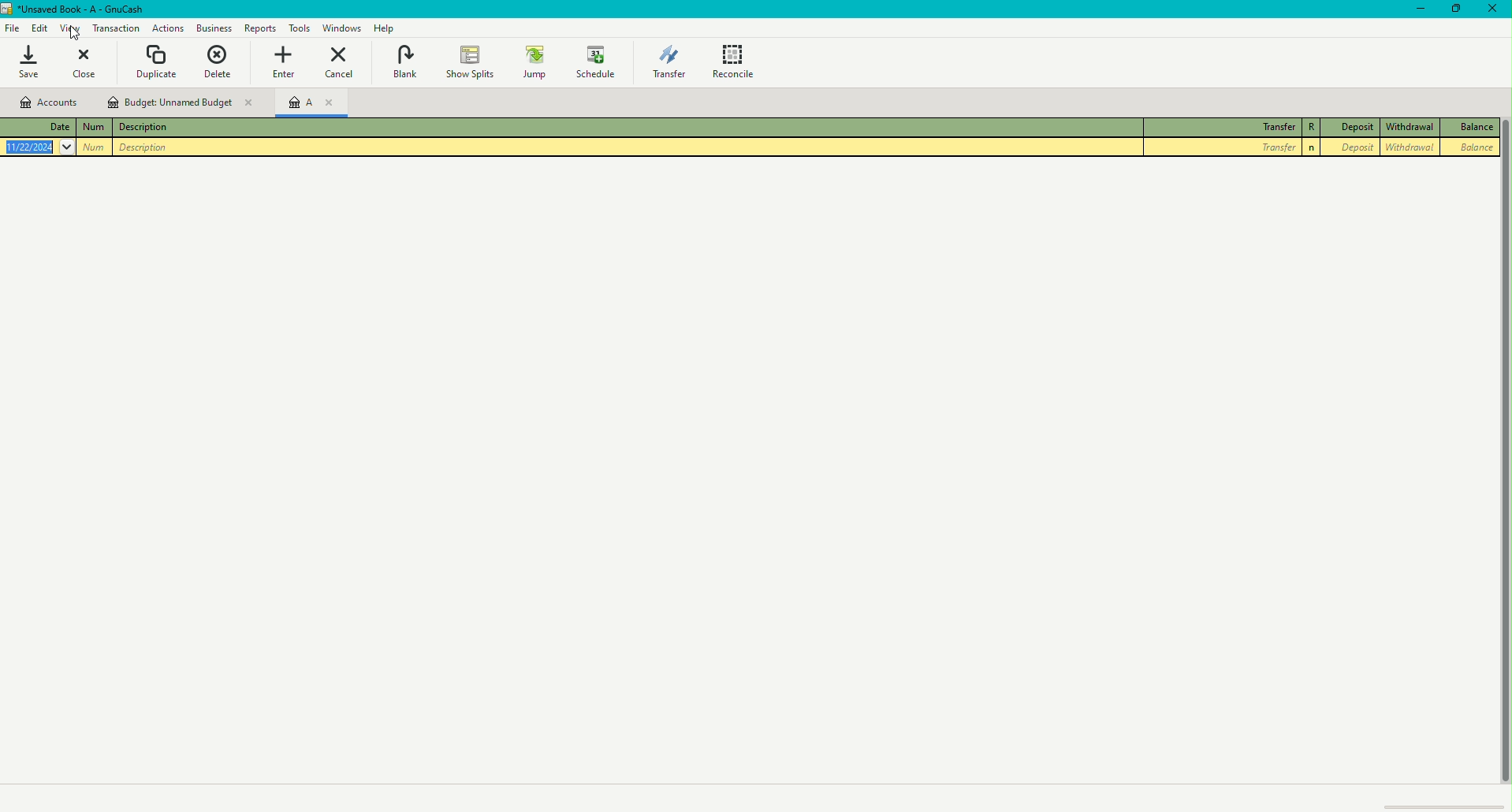  Describe the element at coordinates (1420, 13) in the screenshot. I see `Minimize` at that location.